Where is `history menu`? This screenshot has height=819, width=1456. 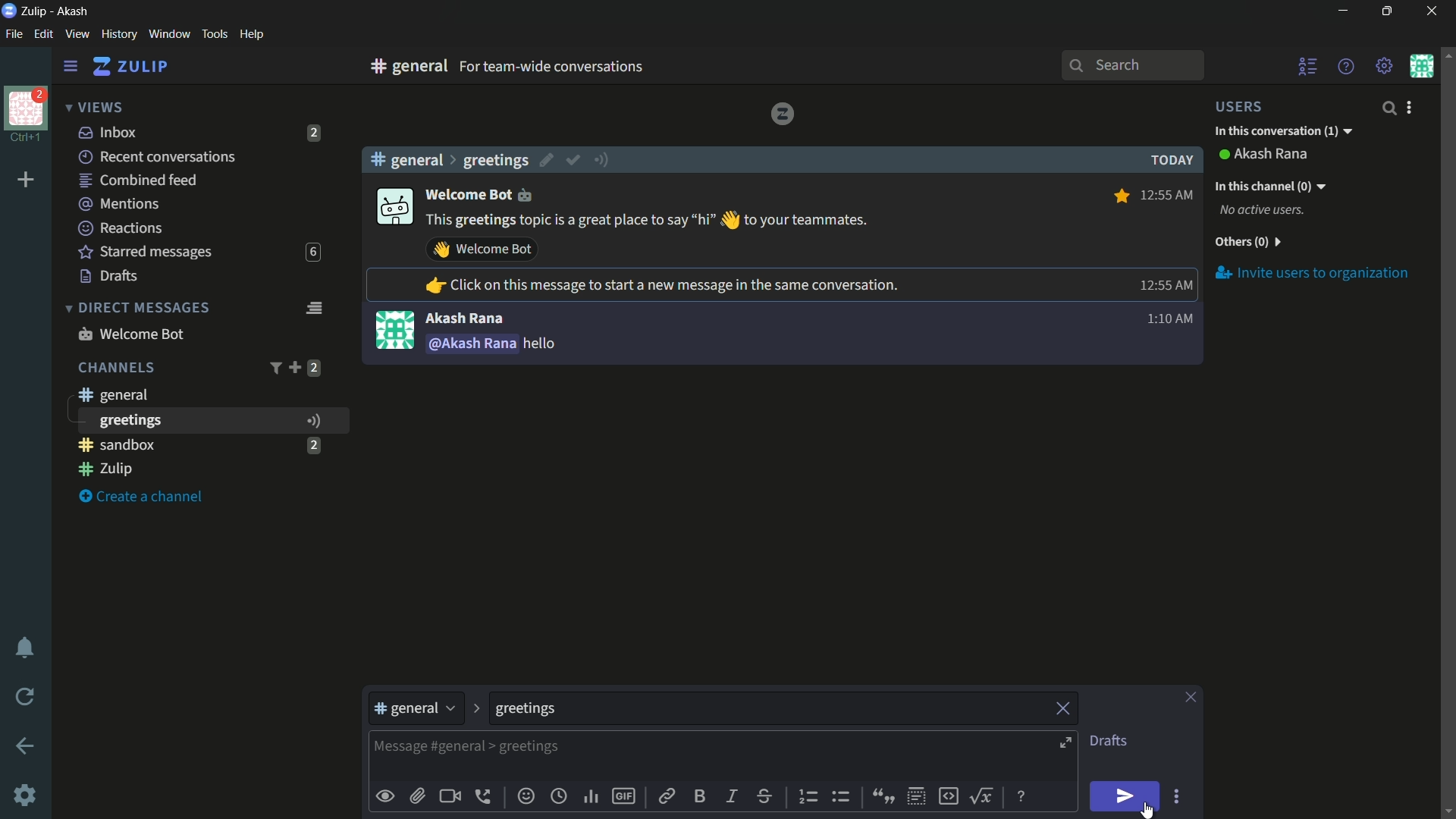 history menu is located at coordinates (119, 33).